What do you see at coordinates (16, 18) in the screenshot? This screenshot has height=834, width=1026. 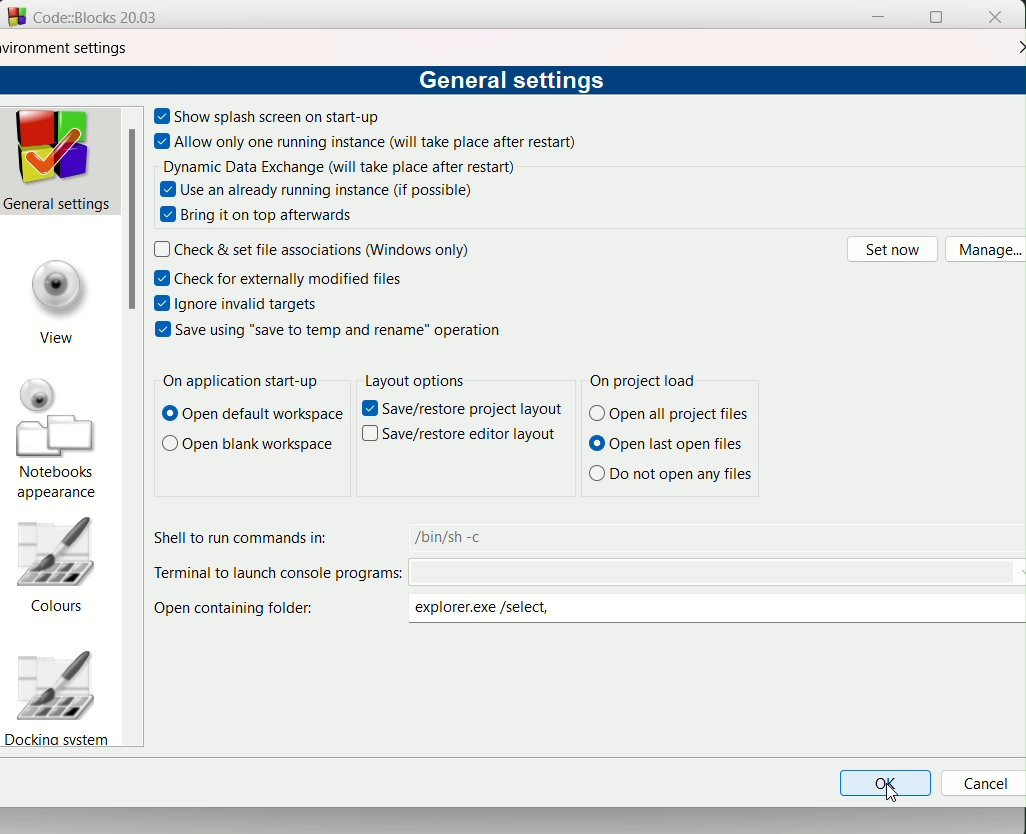 I see `logo and name` at bounding box center [16, 18].